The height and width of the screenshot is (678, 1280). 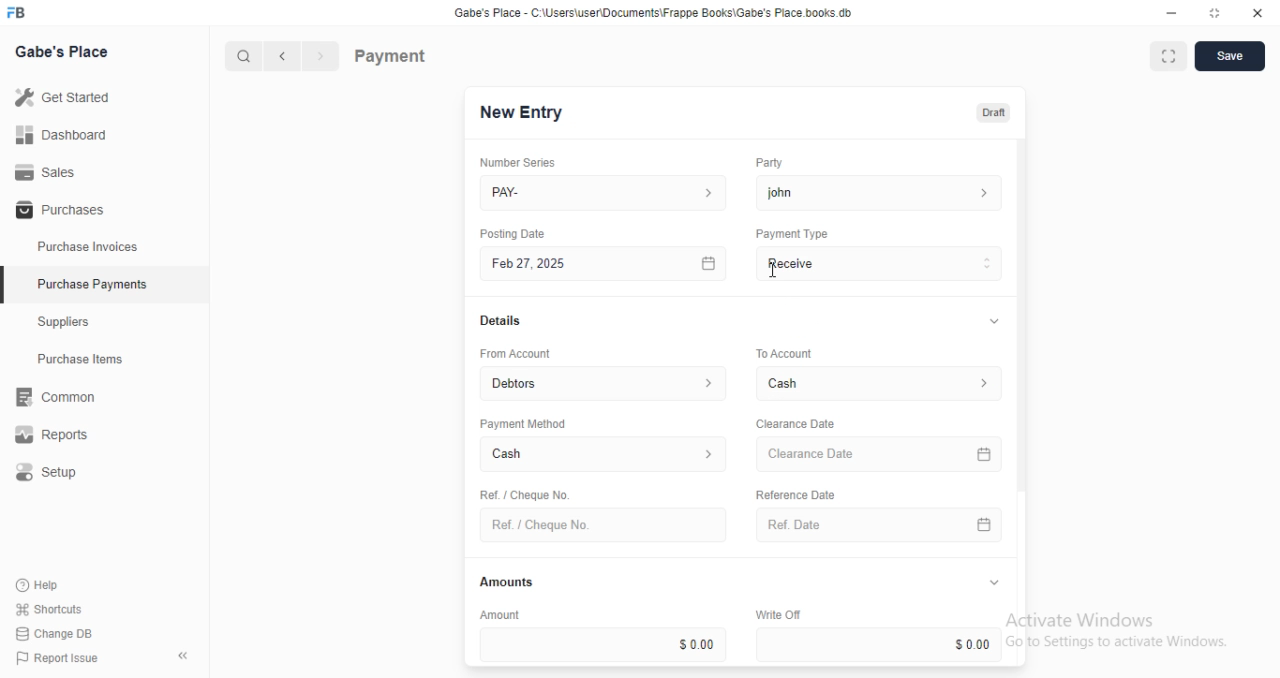 I want to click on Payment, so click(x=391, y=55).